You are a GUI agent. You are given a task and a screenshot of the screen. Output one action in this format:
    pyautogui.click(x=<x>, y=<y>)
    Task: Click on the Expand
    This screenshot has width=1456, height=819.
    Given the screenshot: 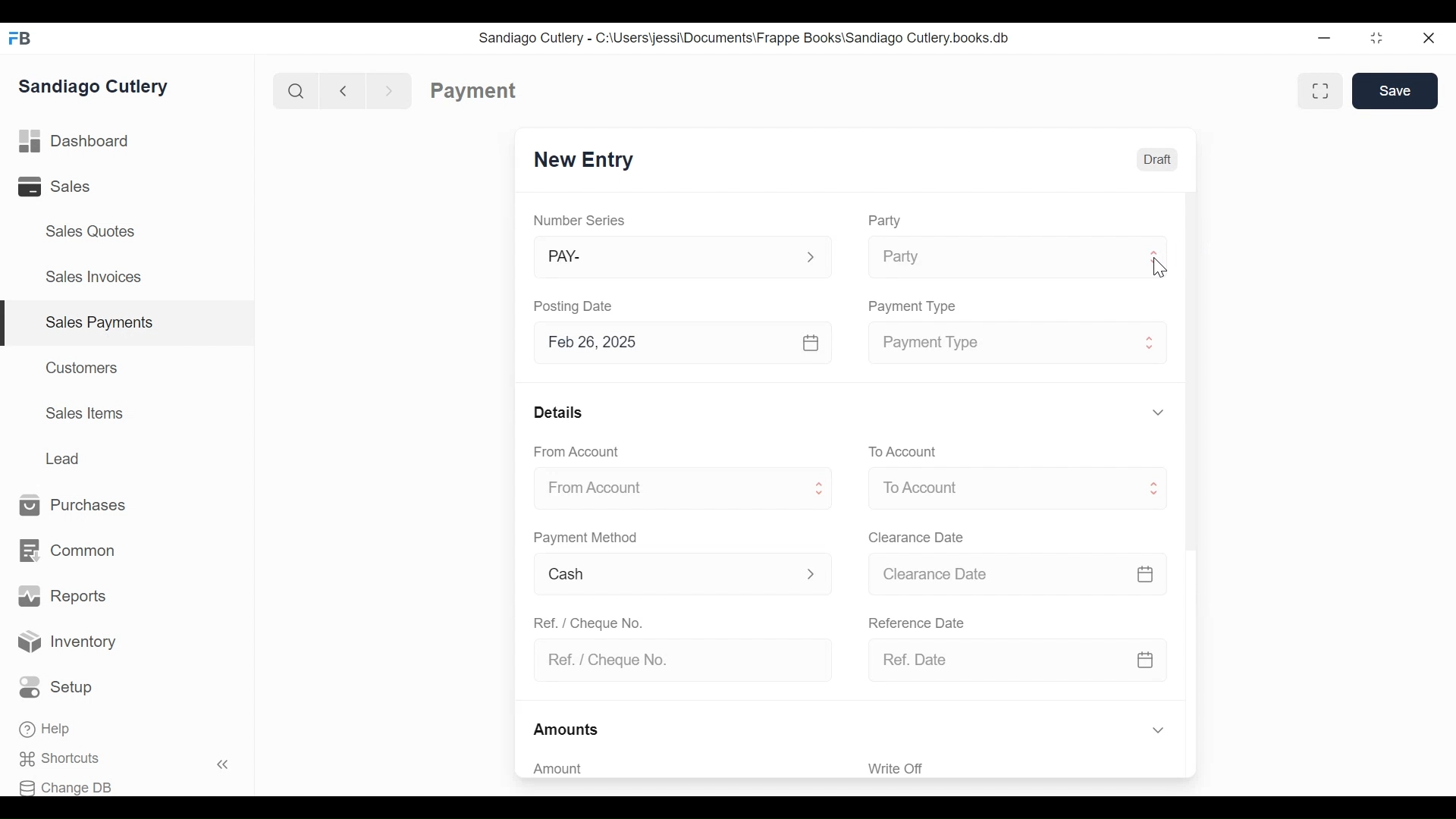 What is the action you would take?
    pyautogui.click(x=1157, y=412)
    